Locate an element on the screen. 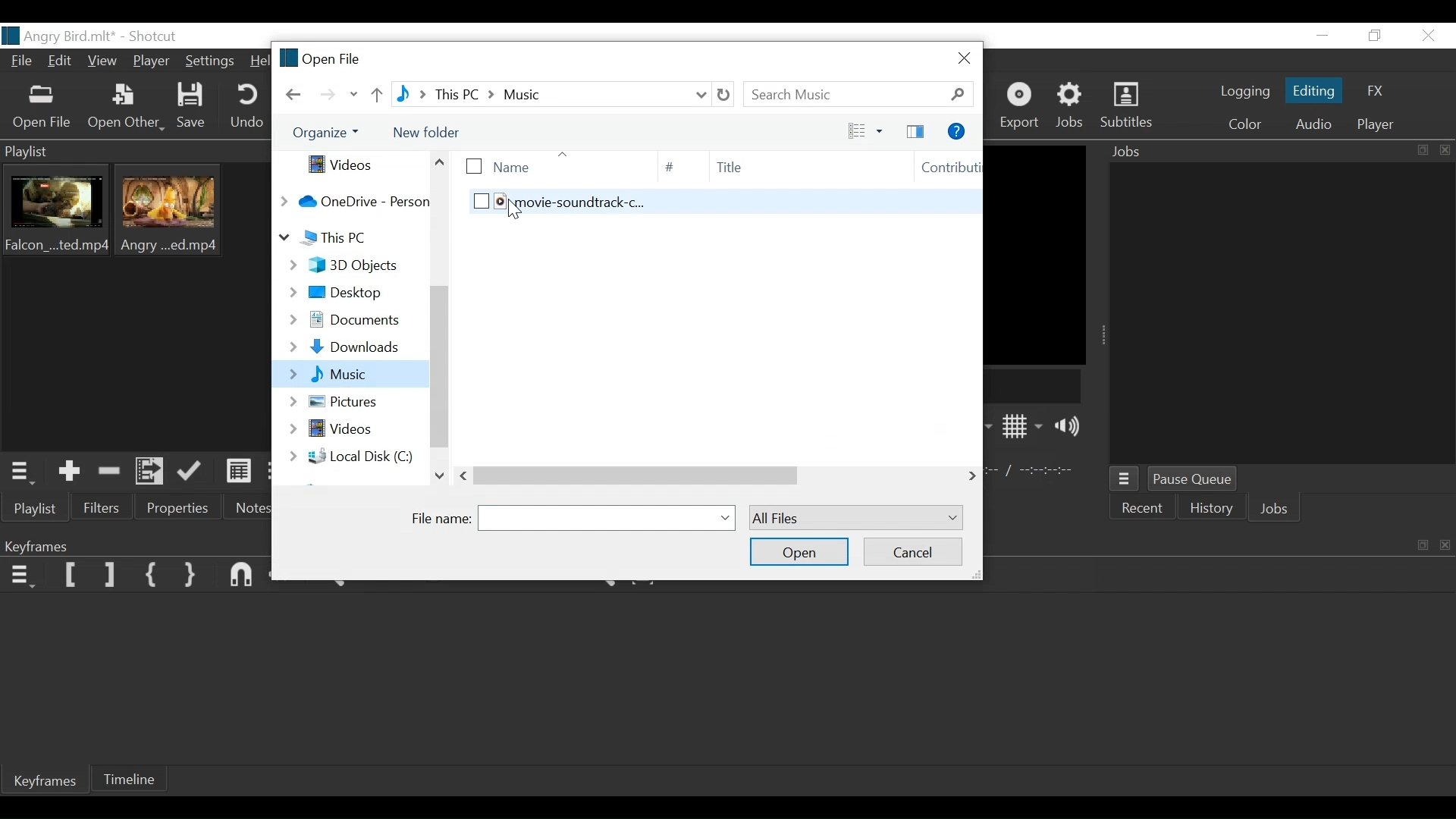 The height and width of the screenshot is (819, 1456). Refresh is located at coordinates (726, 94).